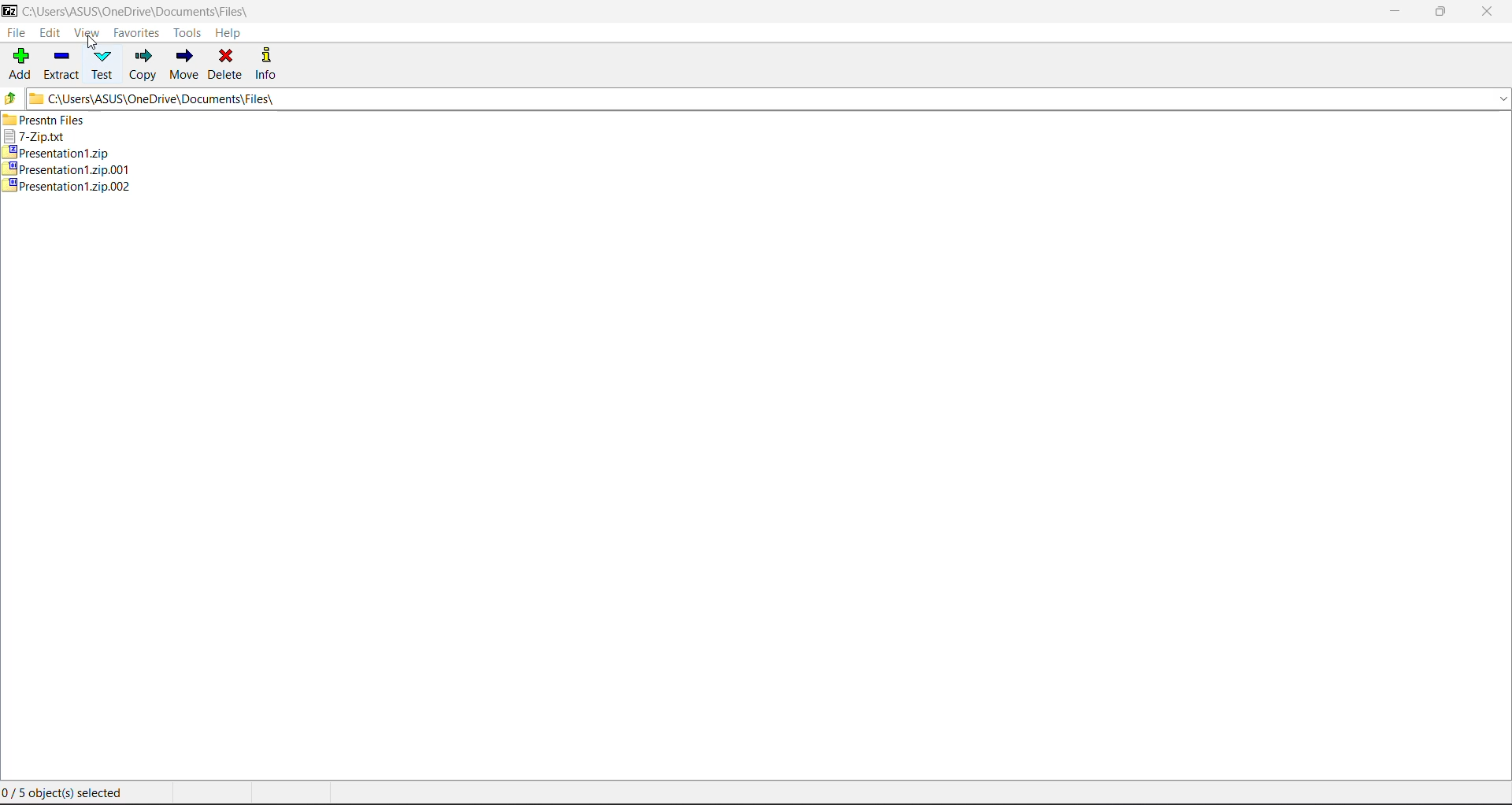 The image size is (1512, 805). What do you see at coordinates (225, 65) in the screenshot?
I see `Delete` at bounding box center [225, 65].